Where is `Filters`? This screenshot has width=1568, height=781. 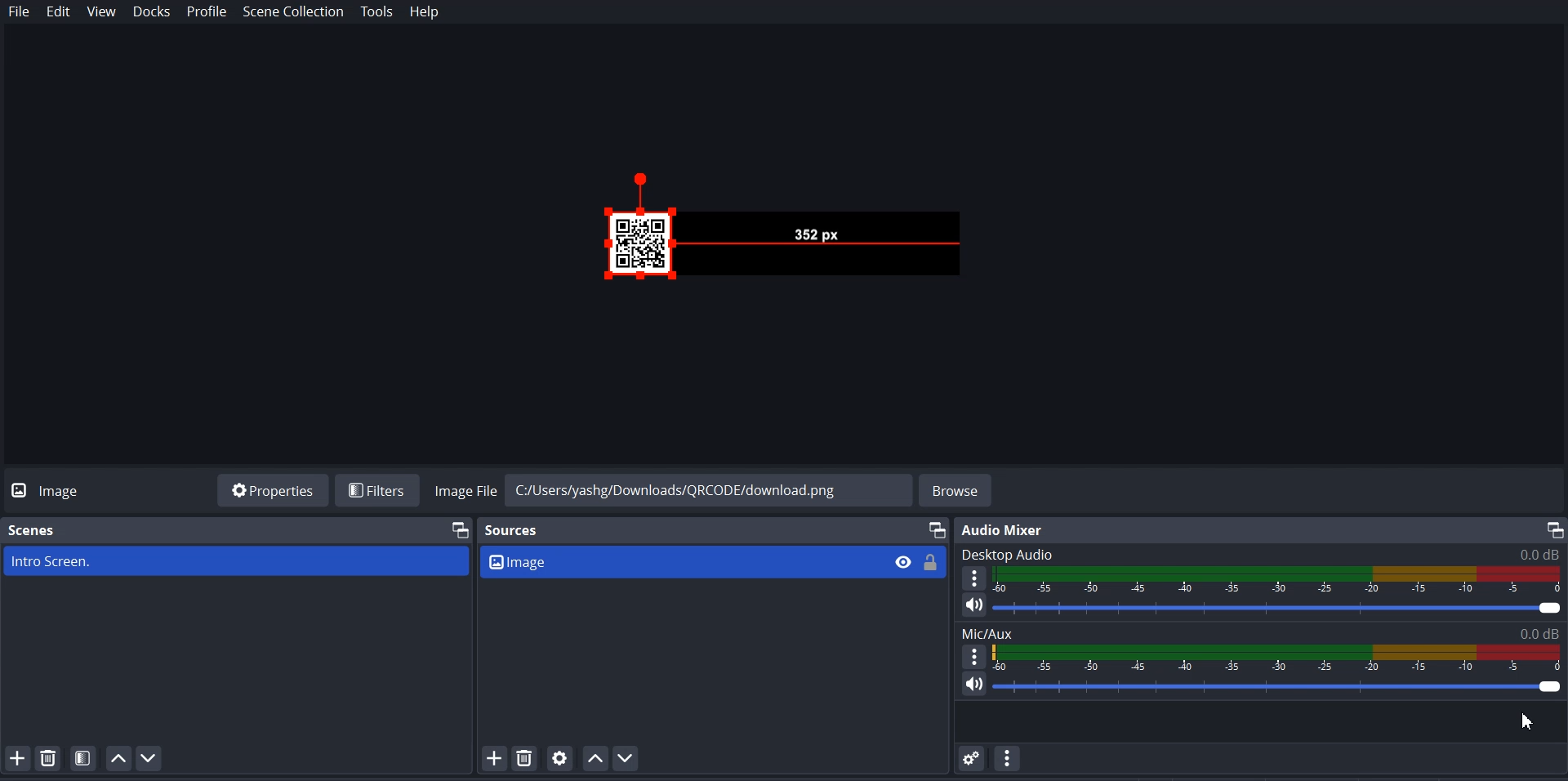 Filters is located at coordinates (380, 490).